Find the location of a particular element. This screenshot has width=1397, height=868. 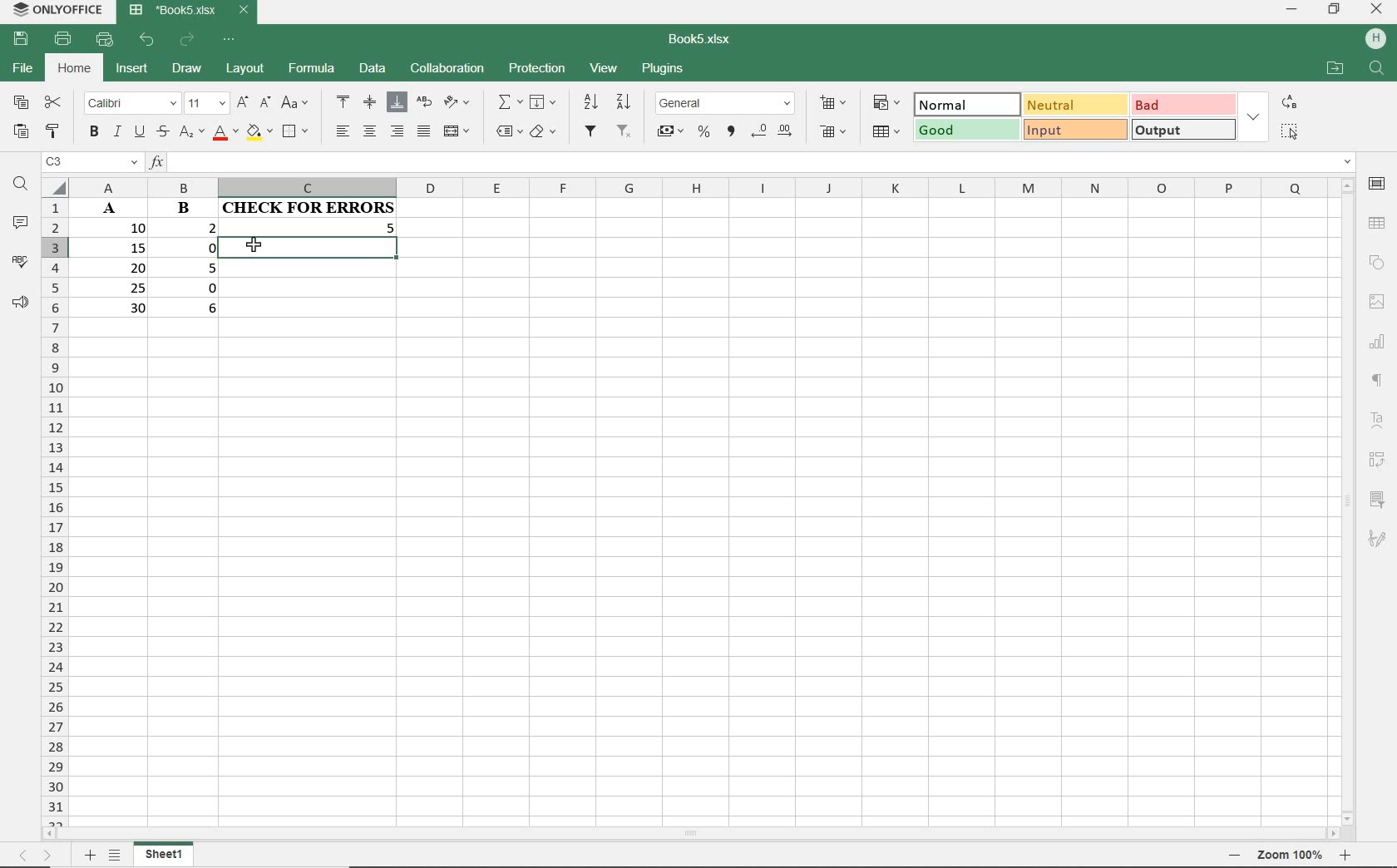

INPUT FUNCTION is located at coordinates (752, 163).